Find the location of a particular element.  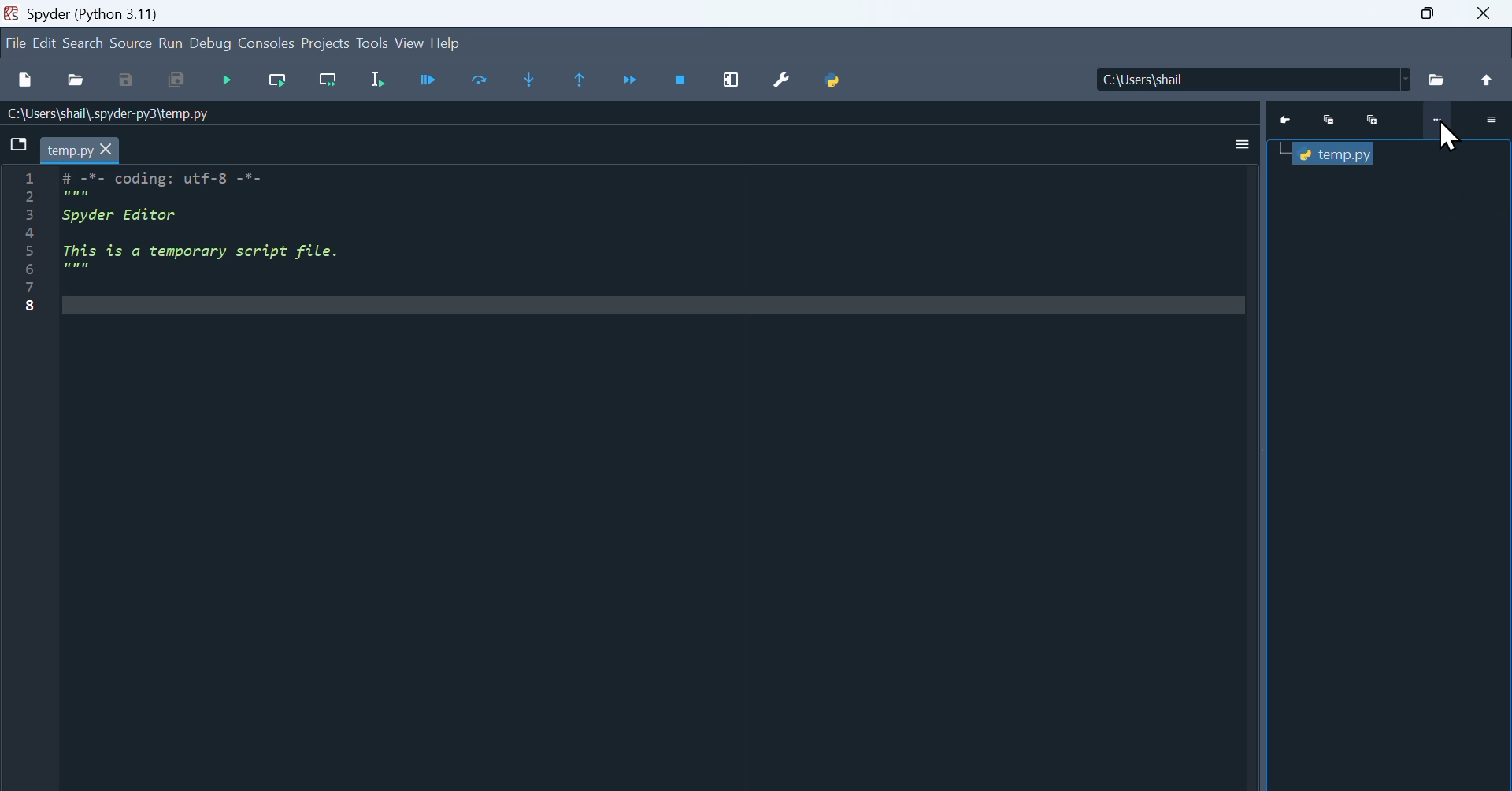

Debugging is located at coordinates (230, 83).